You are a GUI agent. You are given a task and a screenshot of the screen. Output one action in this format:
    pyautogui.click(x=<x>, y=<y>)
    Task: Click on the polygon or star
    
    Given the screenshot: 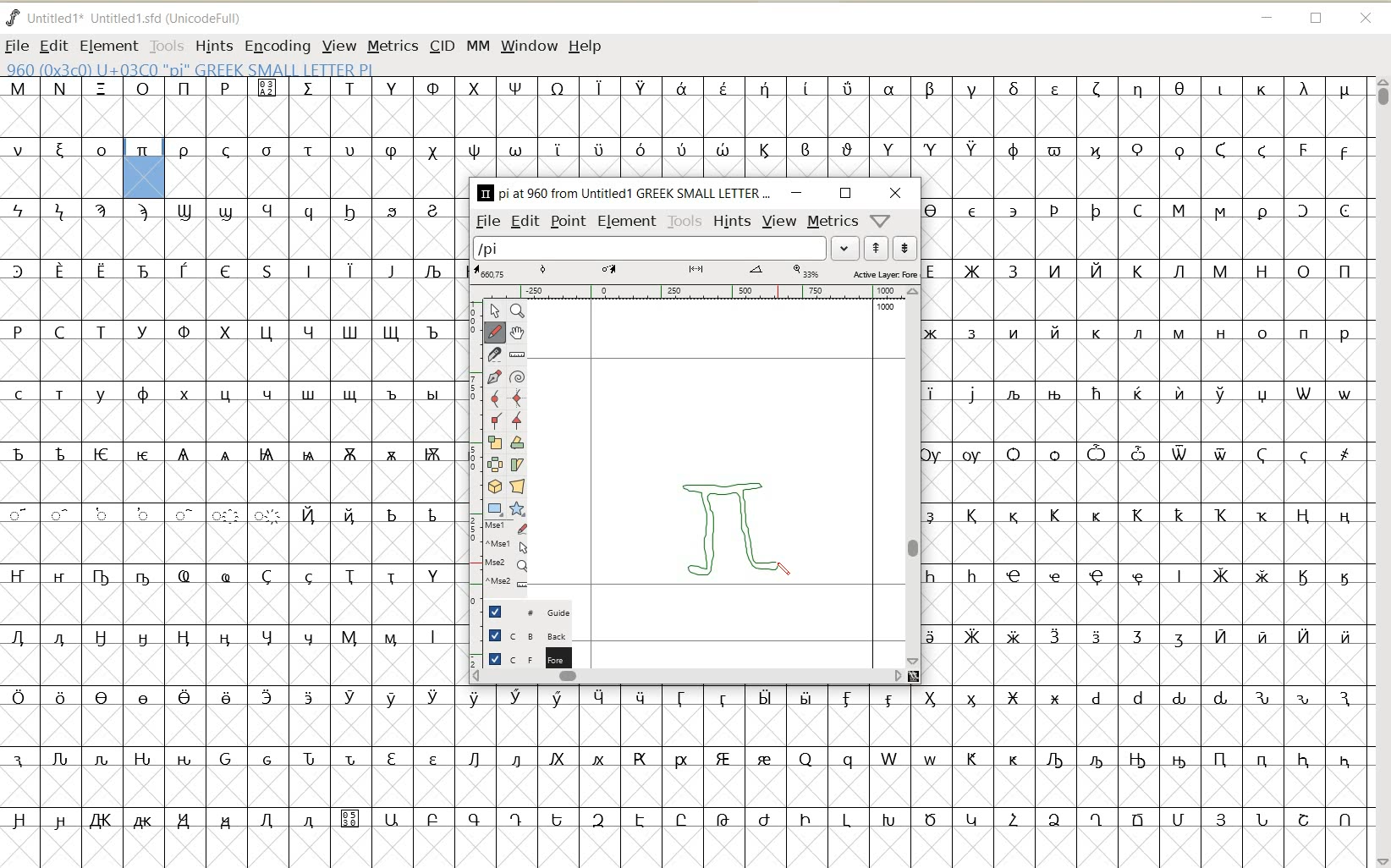 What is the action you would take?
    pyautogui.click(x=516, y=509)
    